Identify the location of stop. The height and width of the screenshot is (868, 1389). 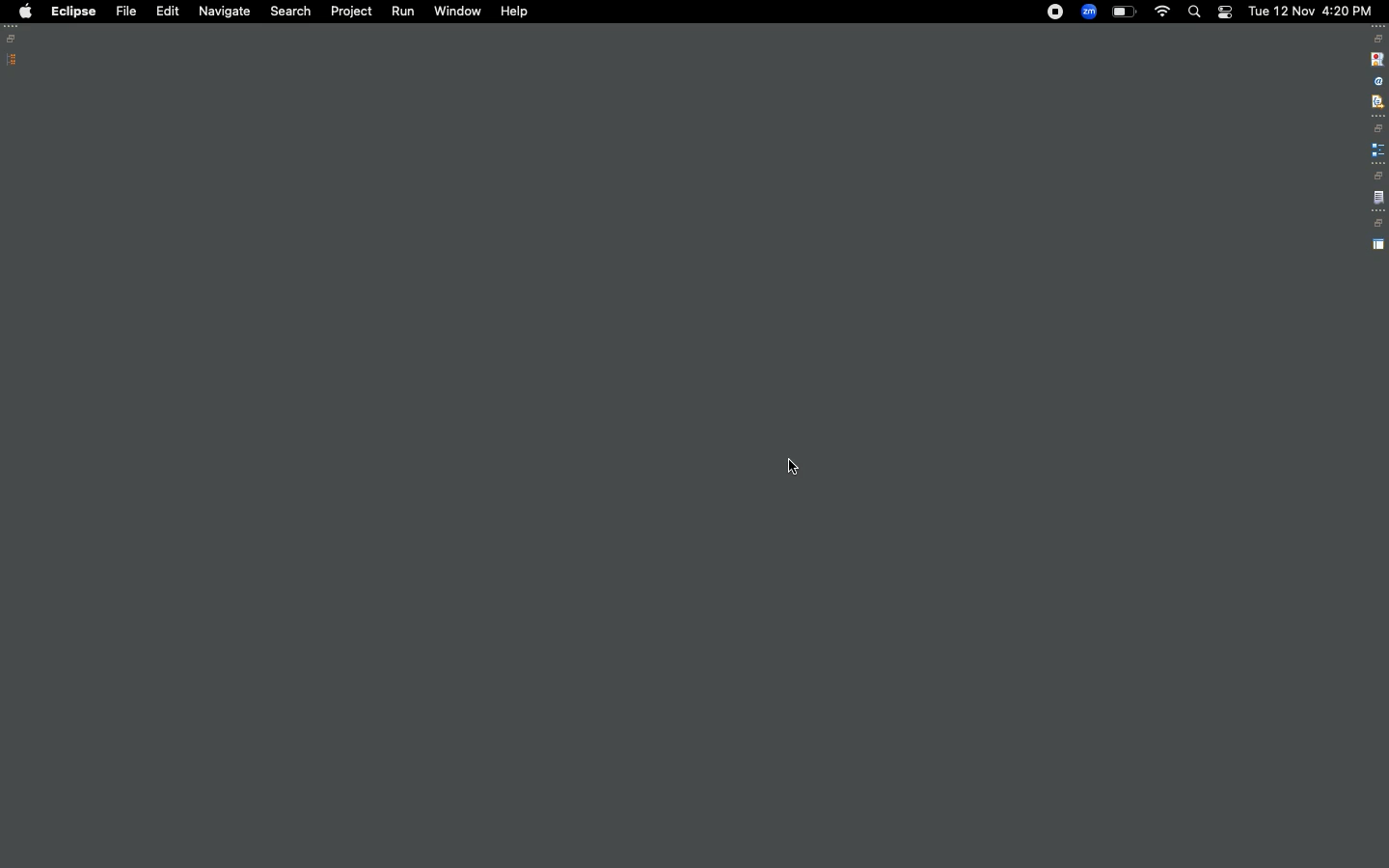
(1375, 58).